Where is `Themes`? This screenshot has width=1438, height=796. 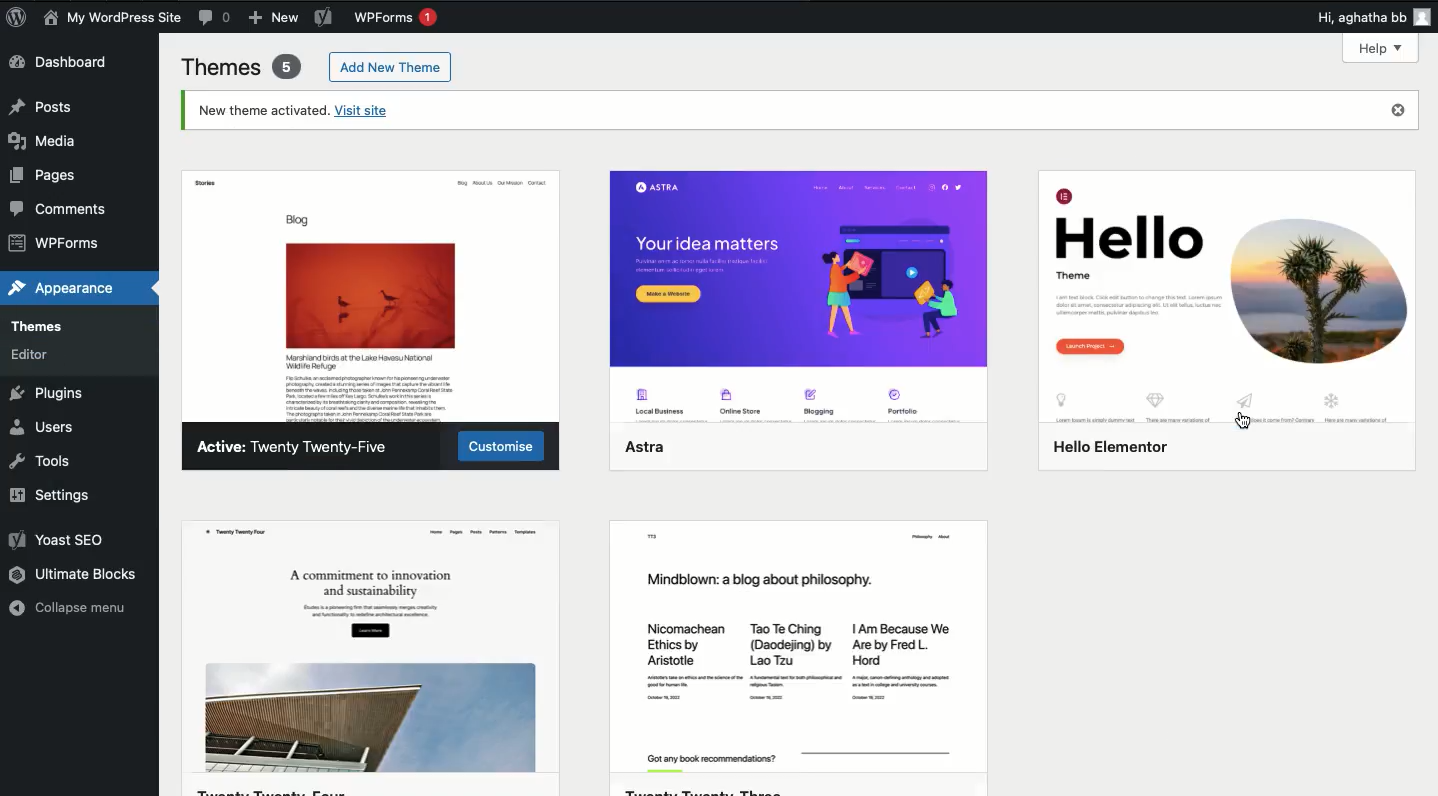 Themes is located at coordinates (64, 324).